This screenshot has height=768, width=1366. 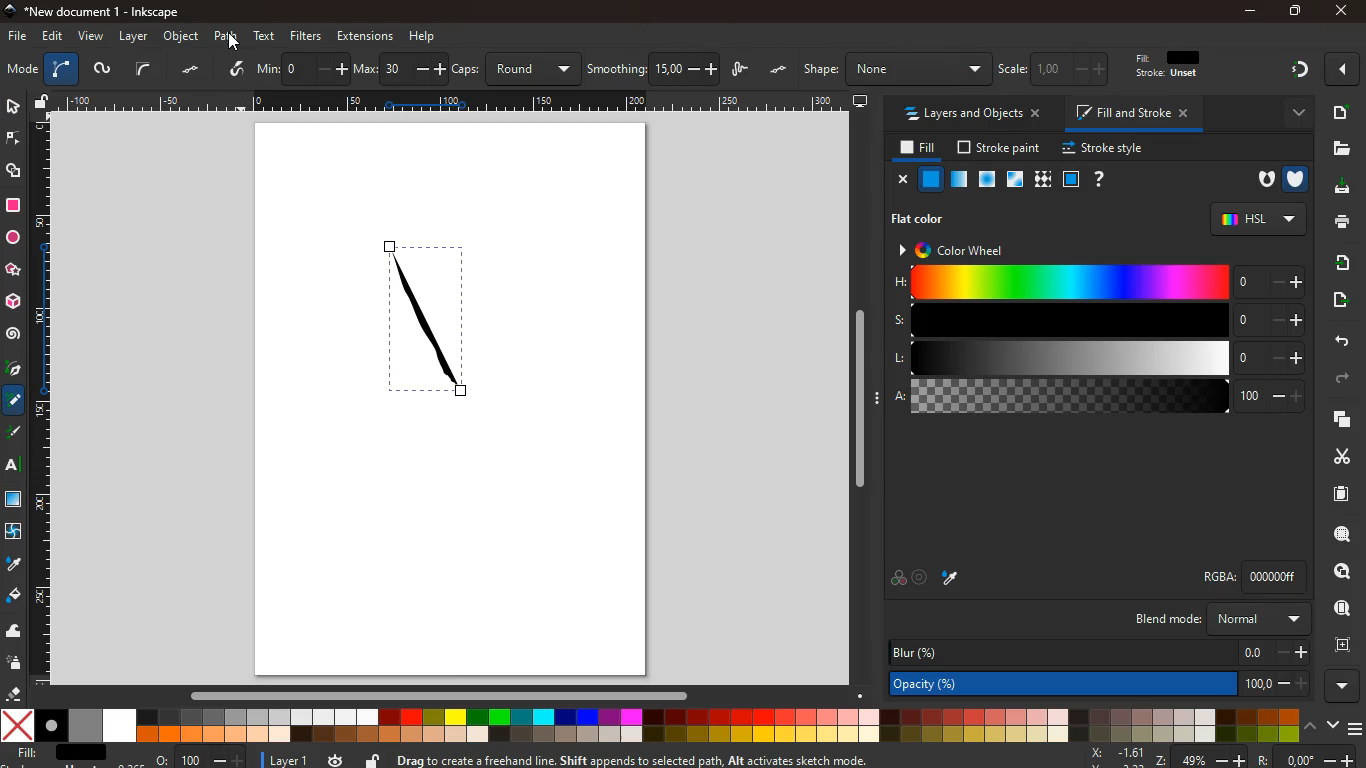 What do you see at coordinates (13, 208) in the screenshot?
I see `square` at bounding box center [13, 208].